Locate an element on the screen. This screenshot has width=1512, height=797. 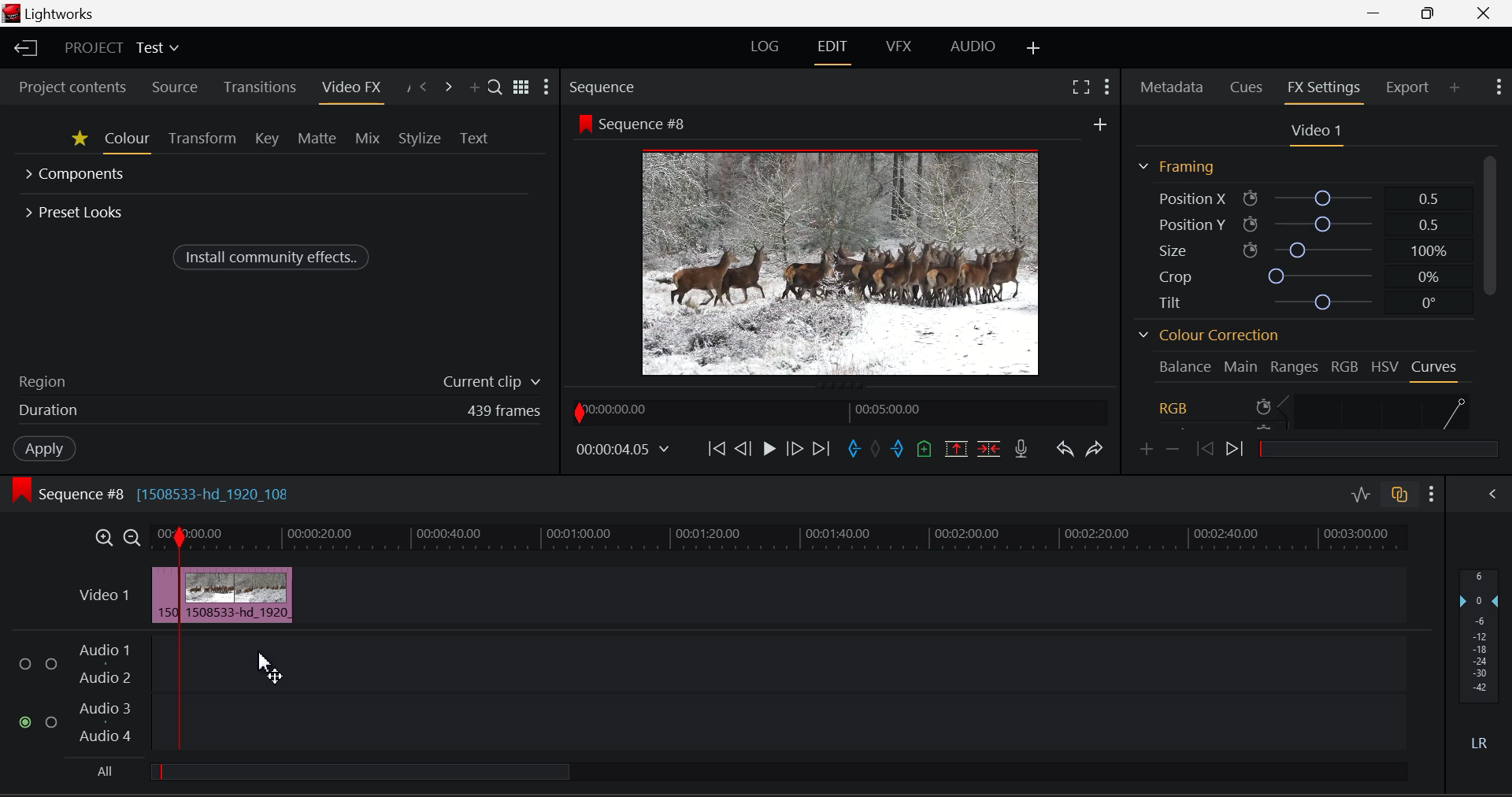
RGB Curve is located at coordinates (1314, 410).